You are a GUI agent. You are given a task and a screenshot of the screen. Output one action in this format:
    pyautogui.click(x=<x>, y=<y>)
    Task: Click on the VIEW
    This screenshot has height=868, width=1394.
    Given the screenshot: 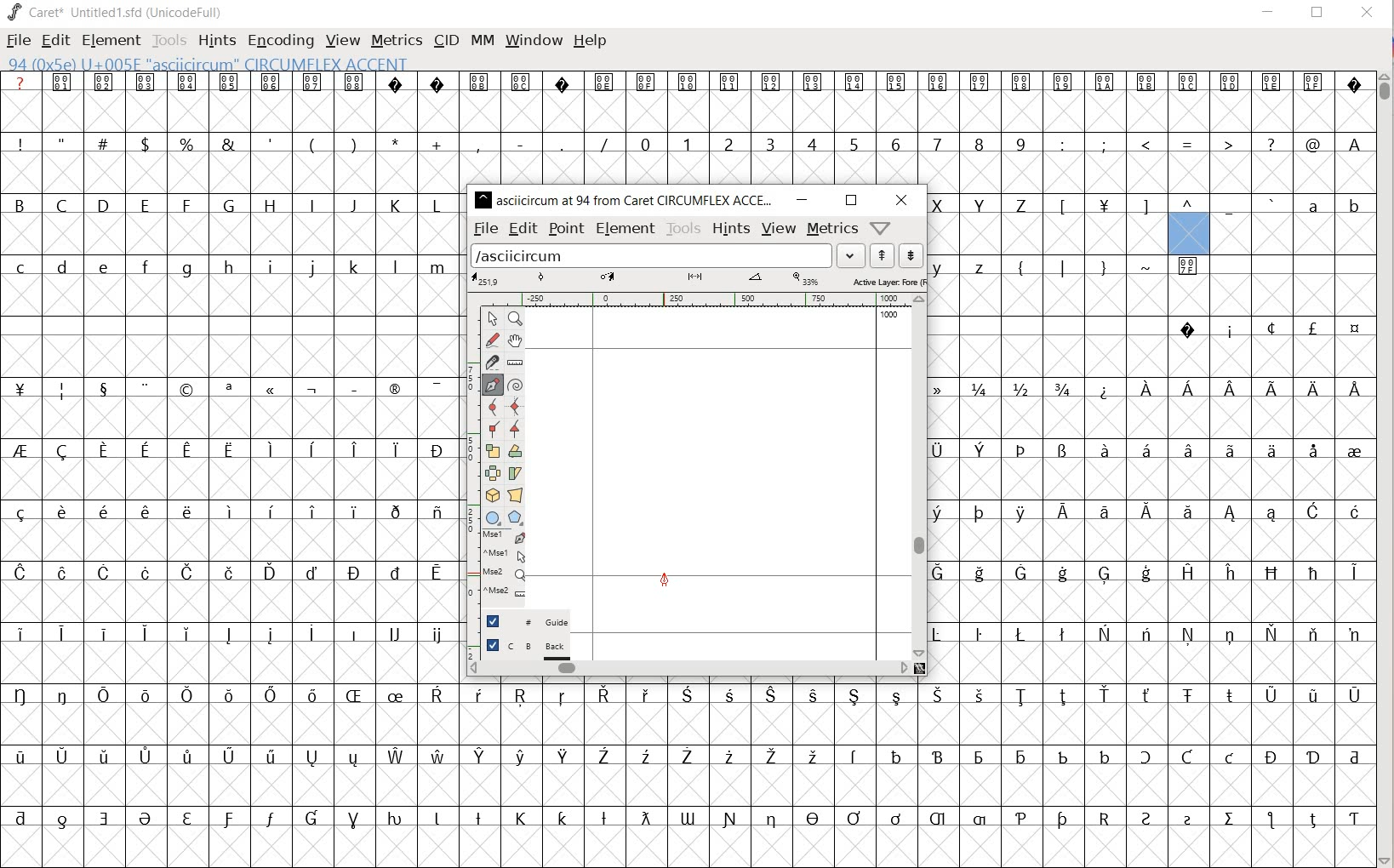 What is the action you would take?
    pyautogui.click(x=342, y=41)
    